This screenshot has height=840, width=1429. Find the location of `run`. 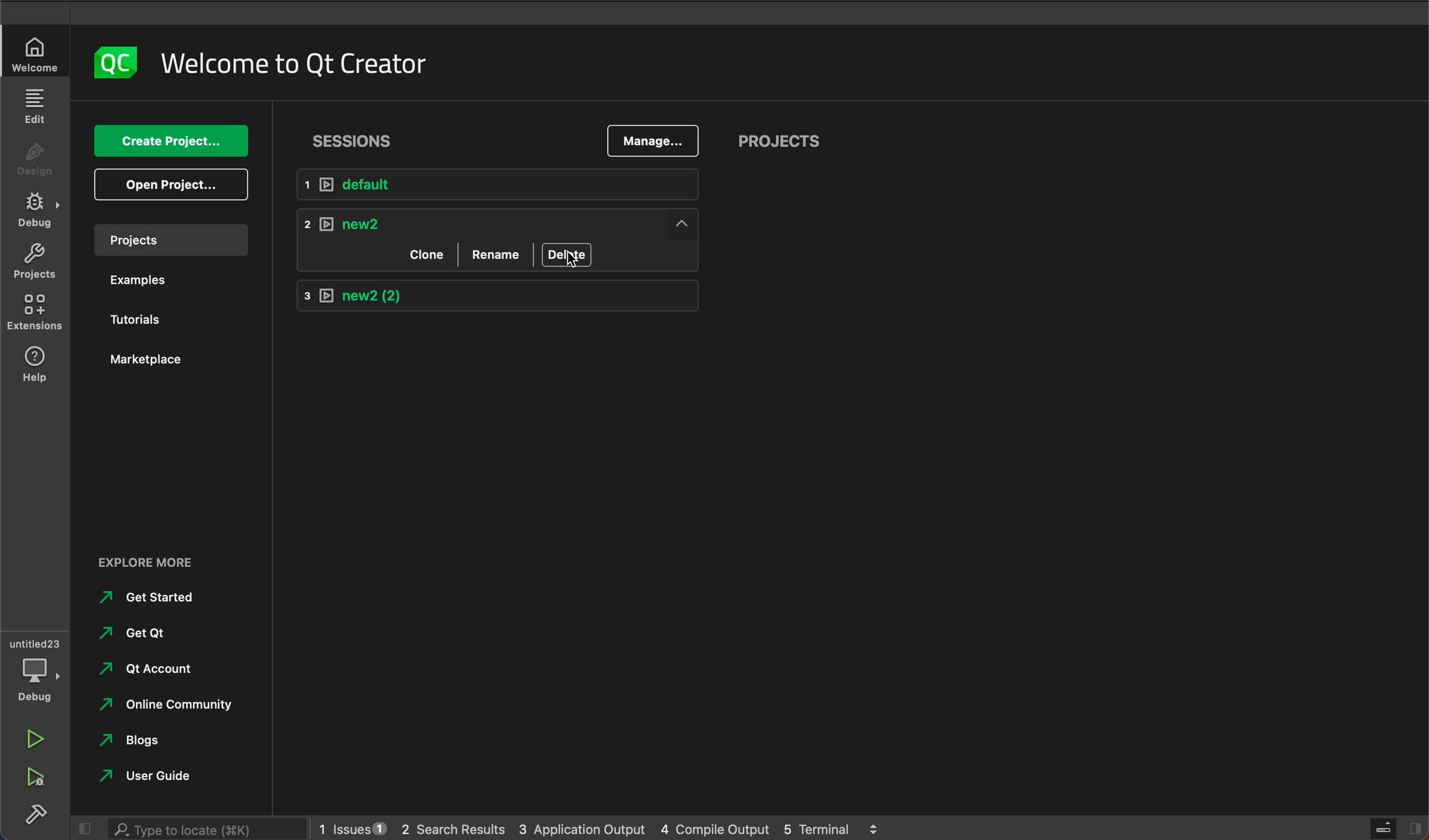

run is located at coordinates (35, 740).